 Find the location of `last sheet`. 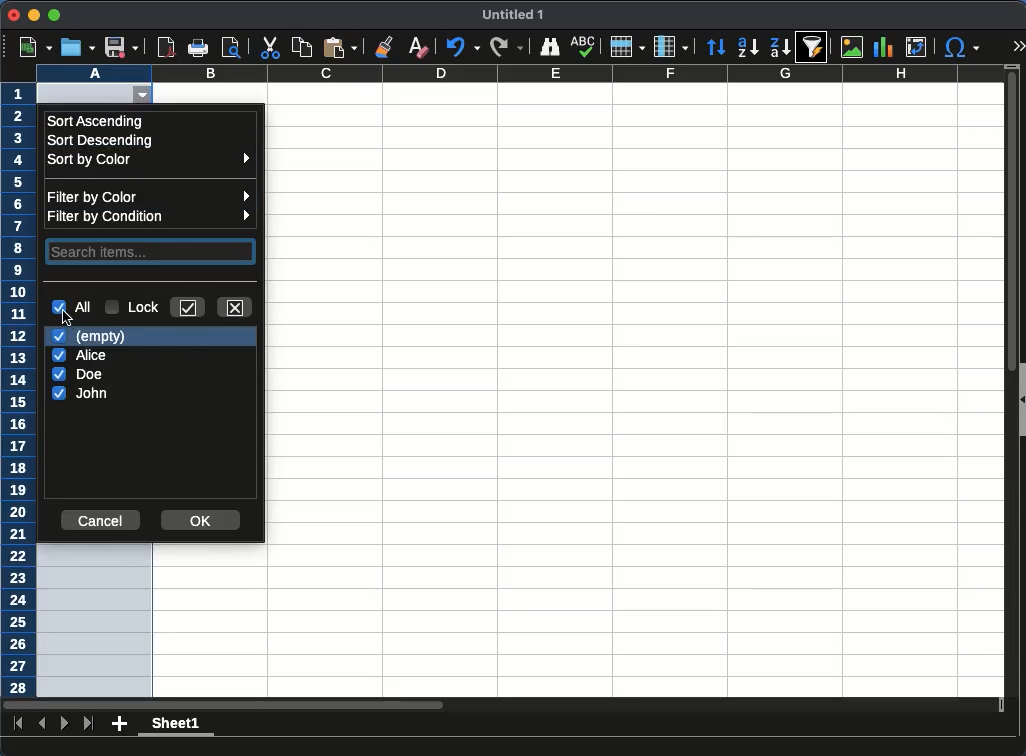

last sheet is located at coordinates (90, 724).